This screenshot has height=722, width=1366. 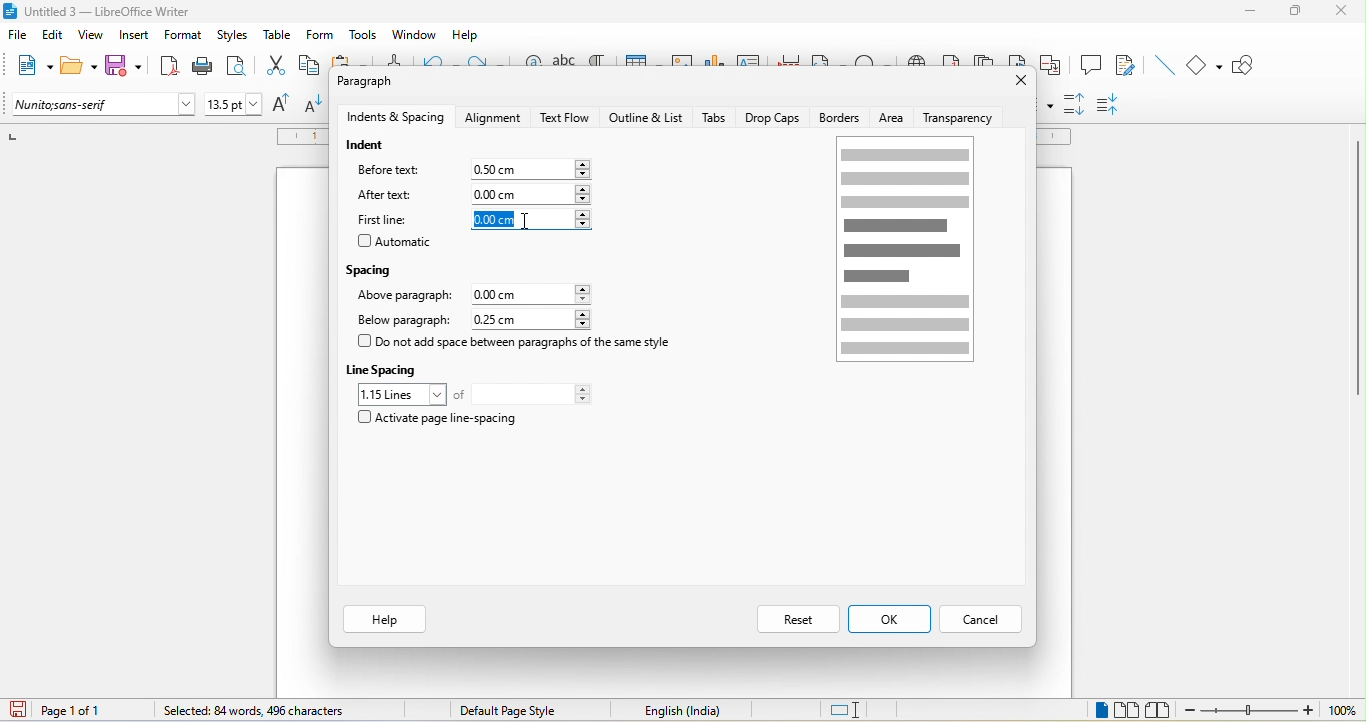 What do you see at coordinates (91, 38) in the screenshot?
I see `view` at bounding box center [91, 38].